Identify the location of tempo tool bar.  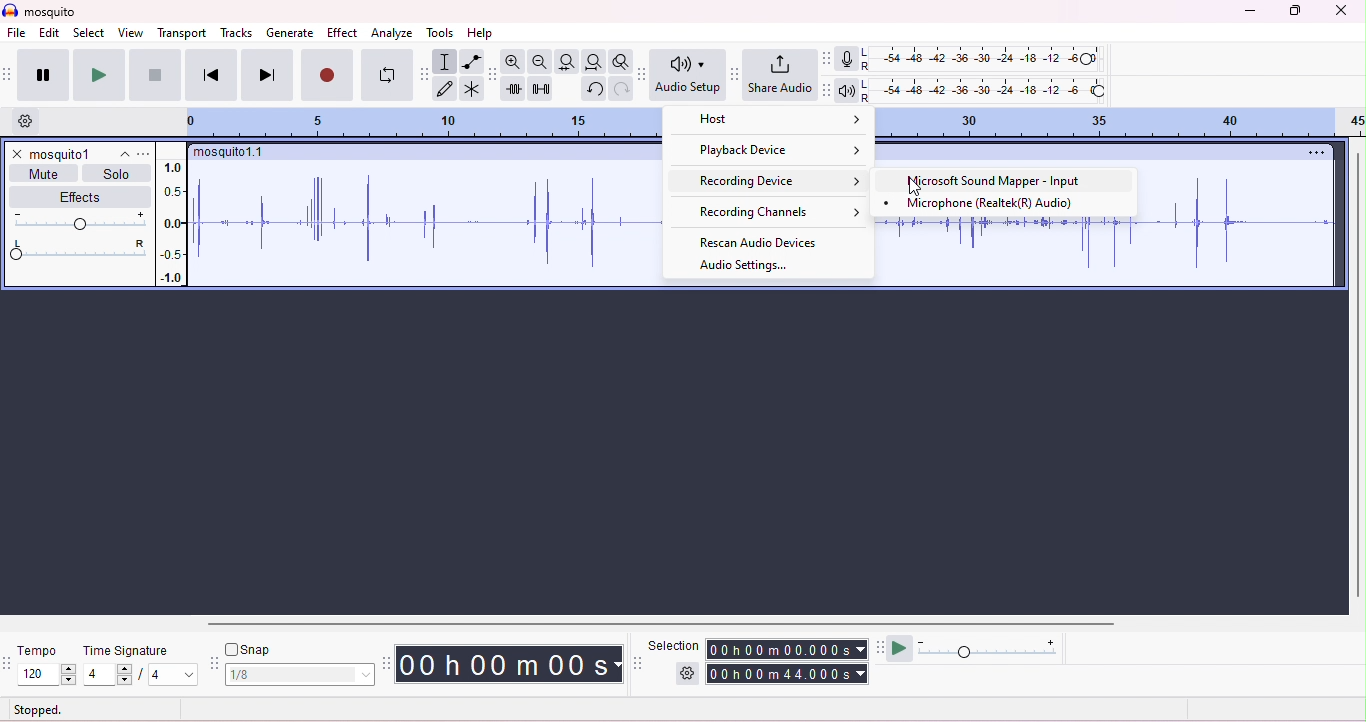
(9, 661).